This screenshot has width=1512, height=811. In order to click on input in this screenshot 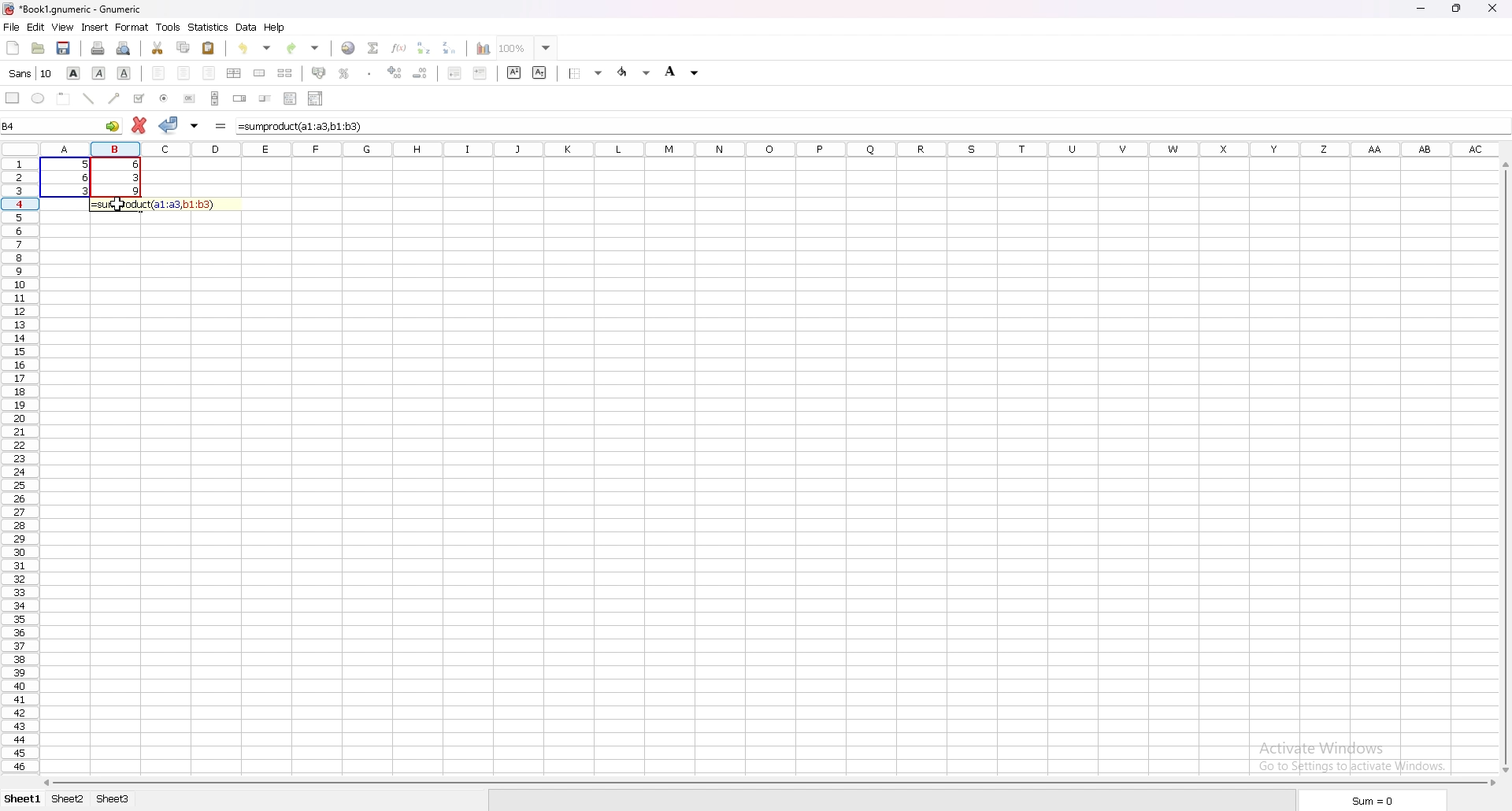, I will do `click(303, 127)`.